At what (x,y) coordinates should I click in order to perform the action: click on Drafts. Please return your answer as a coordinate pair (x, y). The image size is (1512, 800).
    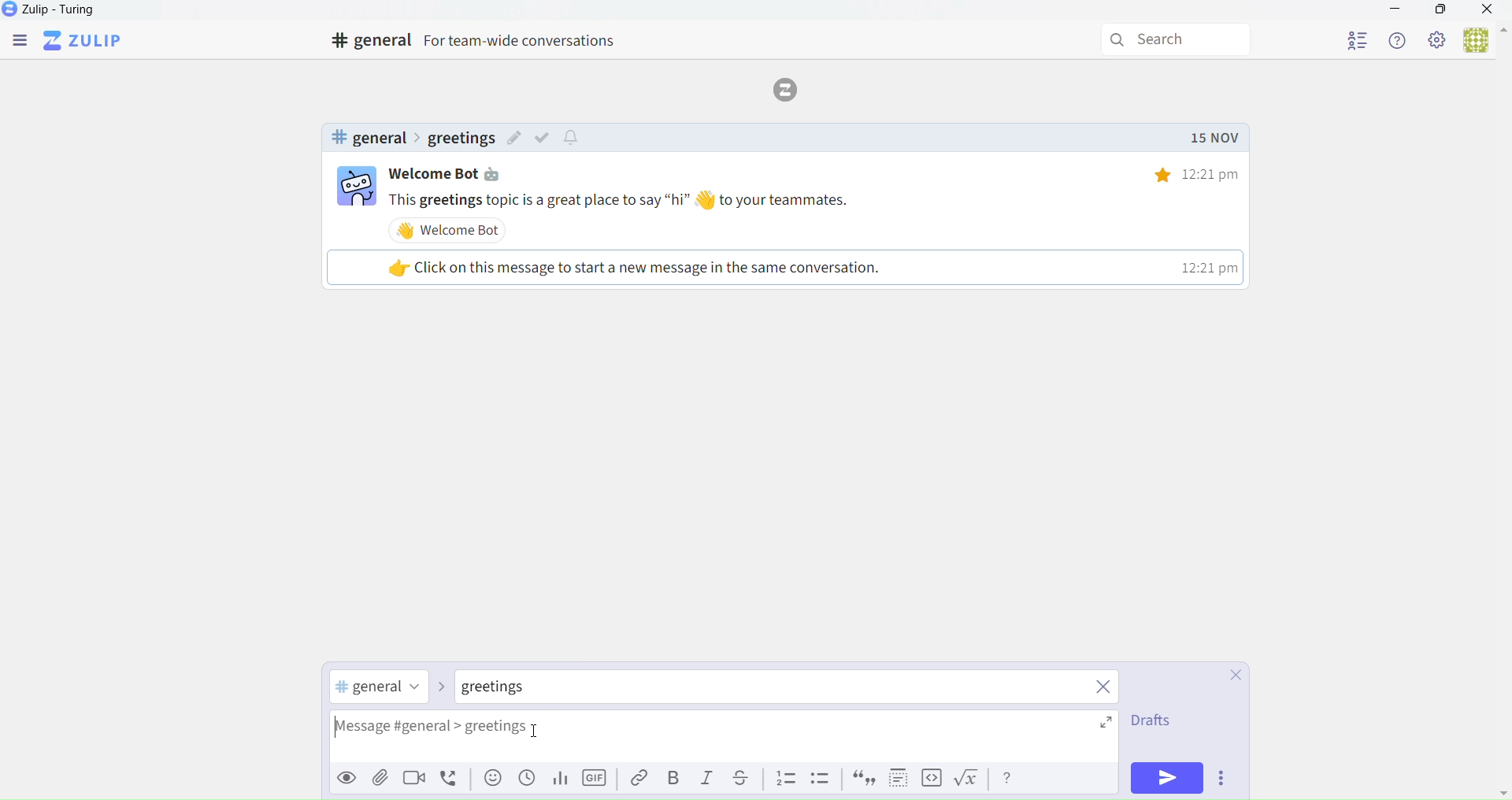
    Looking at the image, I should click on (1150, 724).